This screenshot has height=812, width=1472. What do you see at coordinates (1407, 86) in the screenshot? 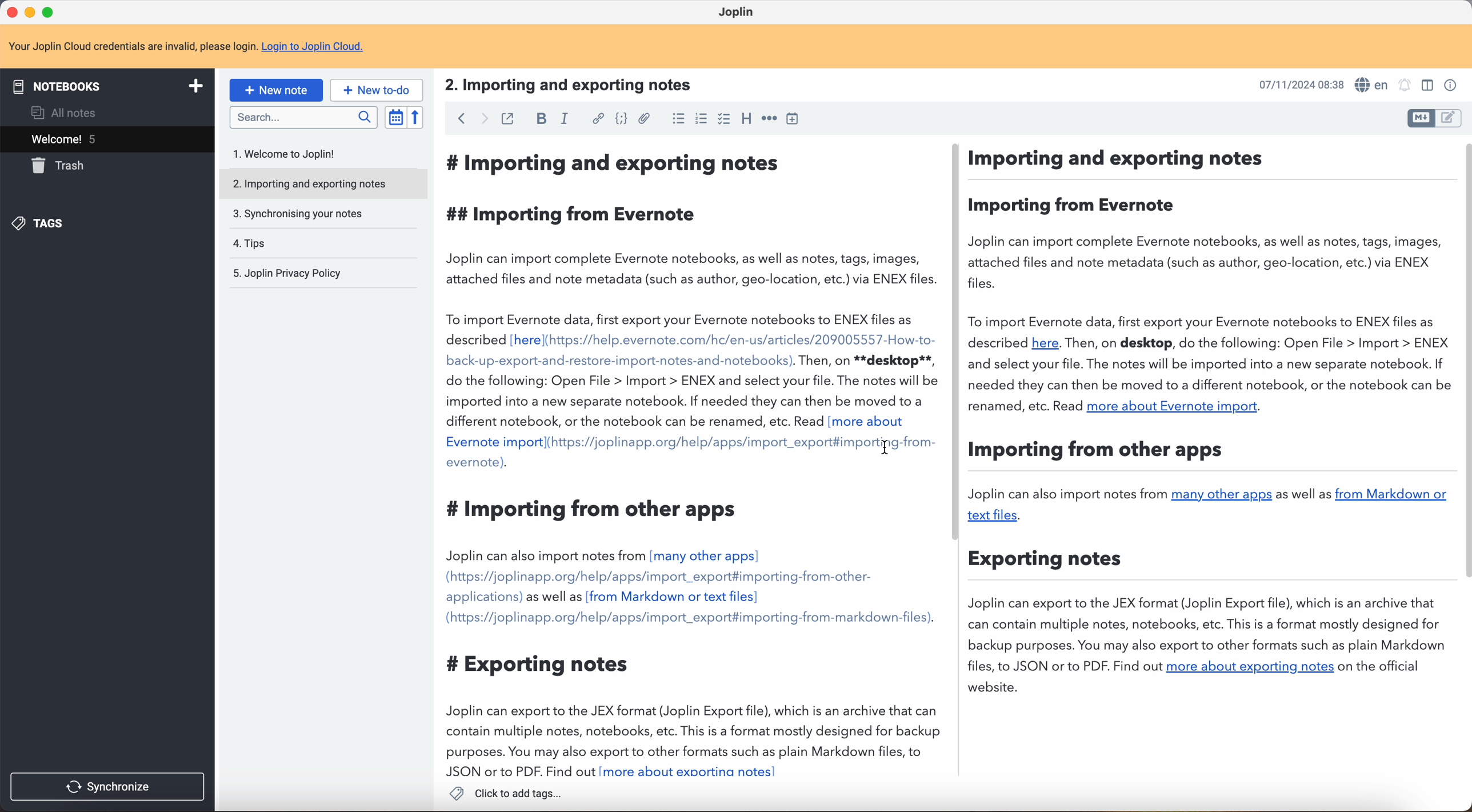
I see `set alarm` at bounding box center [1407, 86].